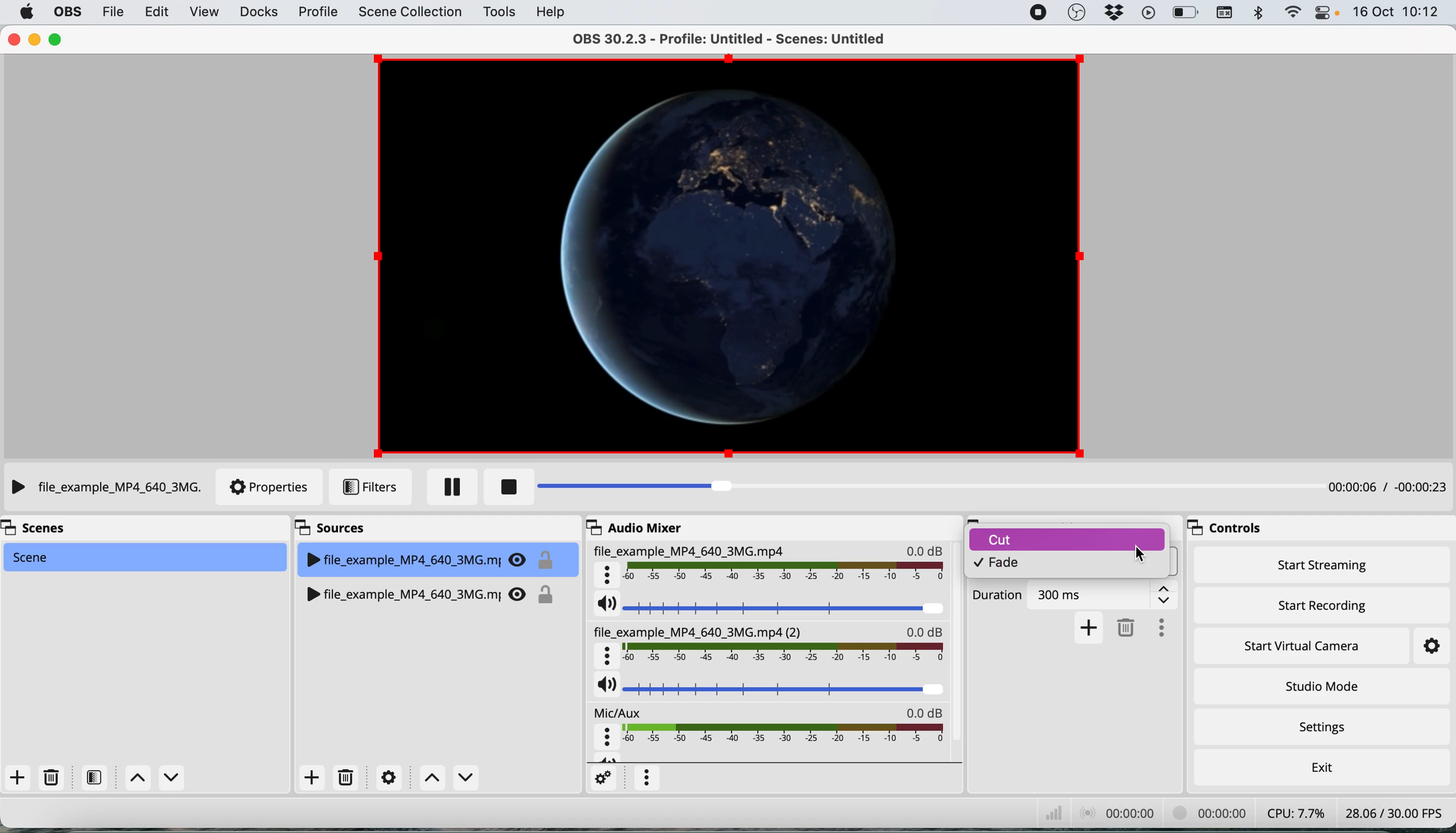  What do you see at coordinates (554, 11) in the screenshot?
I see `help` at bounding box center [554, 11].